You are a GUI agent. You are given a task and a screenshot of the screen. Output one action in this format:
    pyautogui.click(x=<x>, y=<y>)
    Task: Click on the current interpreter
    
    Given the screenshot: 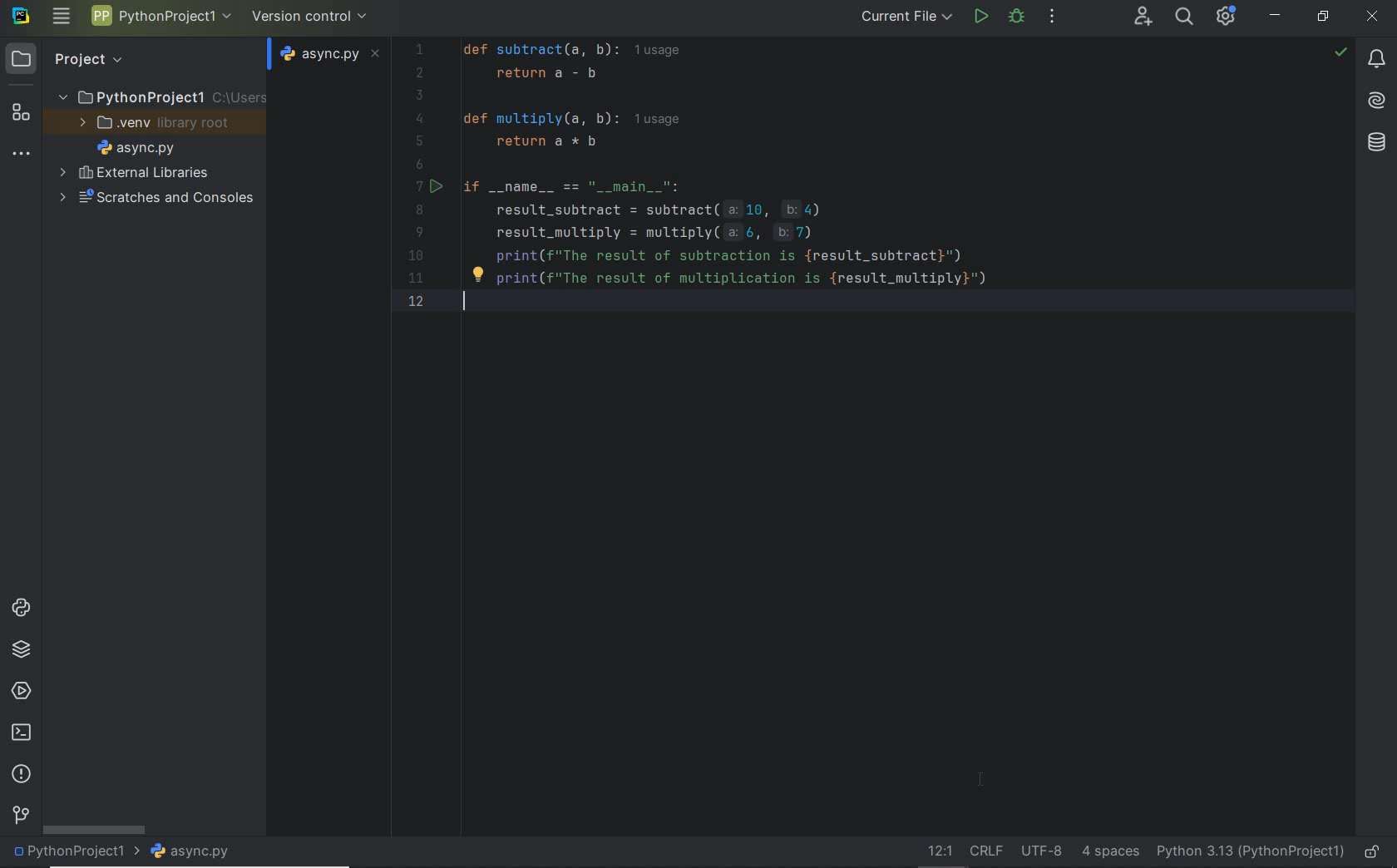 What is the action you would take?
    pyautogui.click(x=1250, y=851)
    